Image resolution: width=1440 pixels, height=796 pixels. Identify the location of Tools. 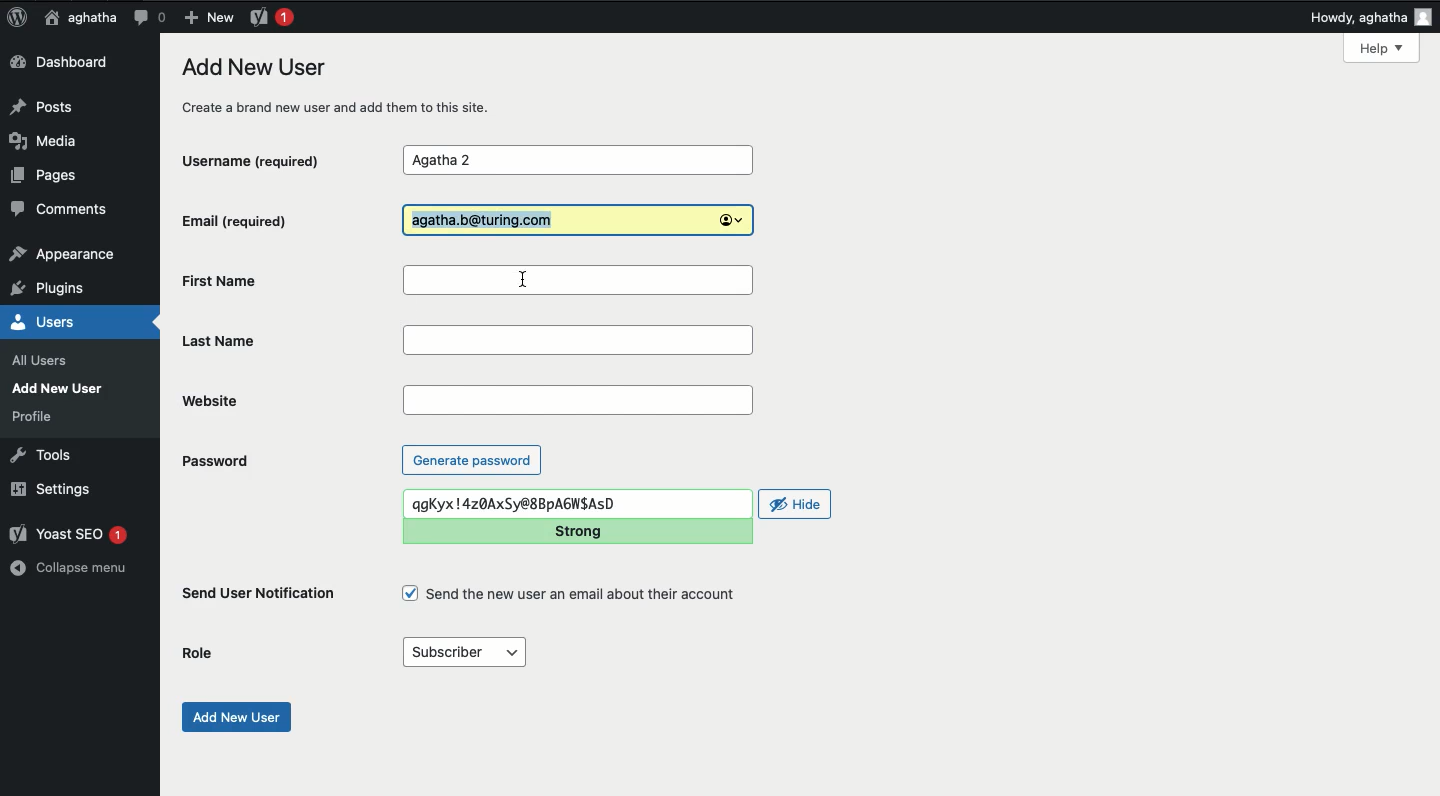
(42, 453).